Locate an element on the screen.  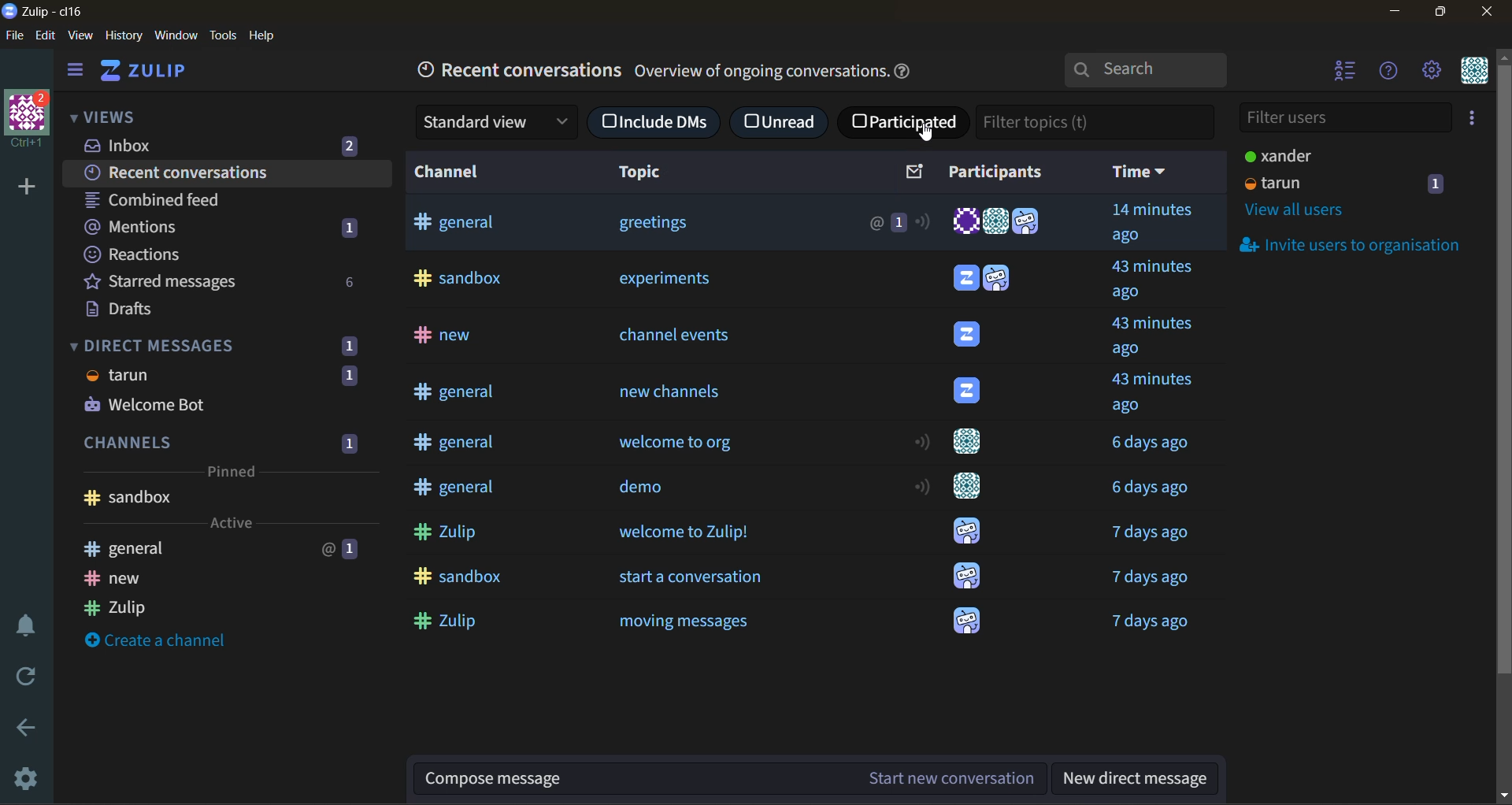
general is located at coordinates (458, 441).